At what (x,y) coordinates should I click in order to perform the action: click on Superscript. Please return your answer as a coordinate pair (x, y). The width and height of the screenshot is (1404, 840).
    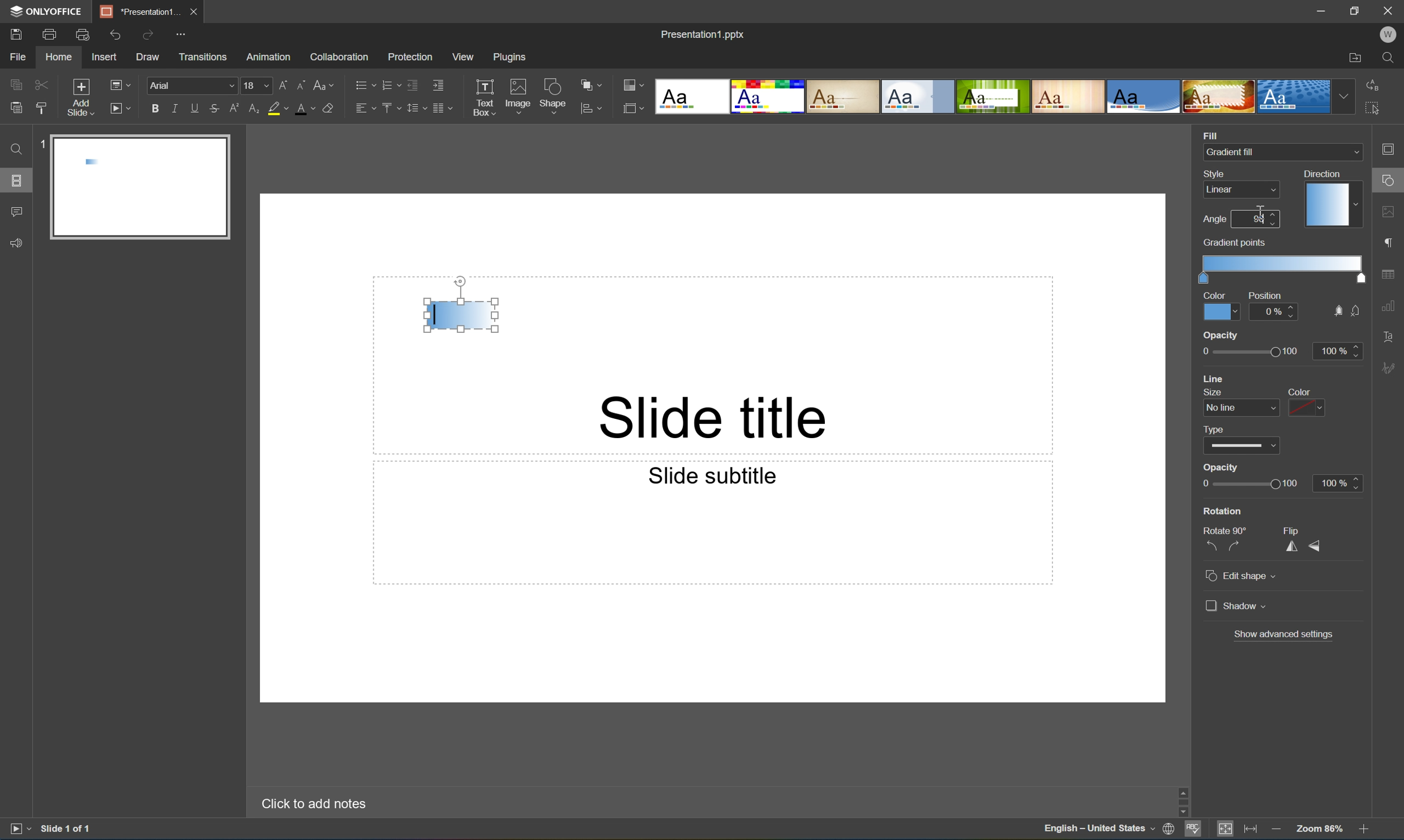
    Looking at the image, I should click on (236, 109).